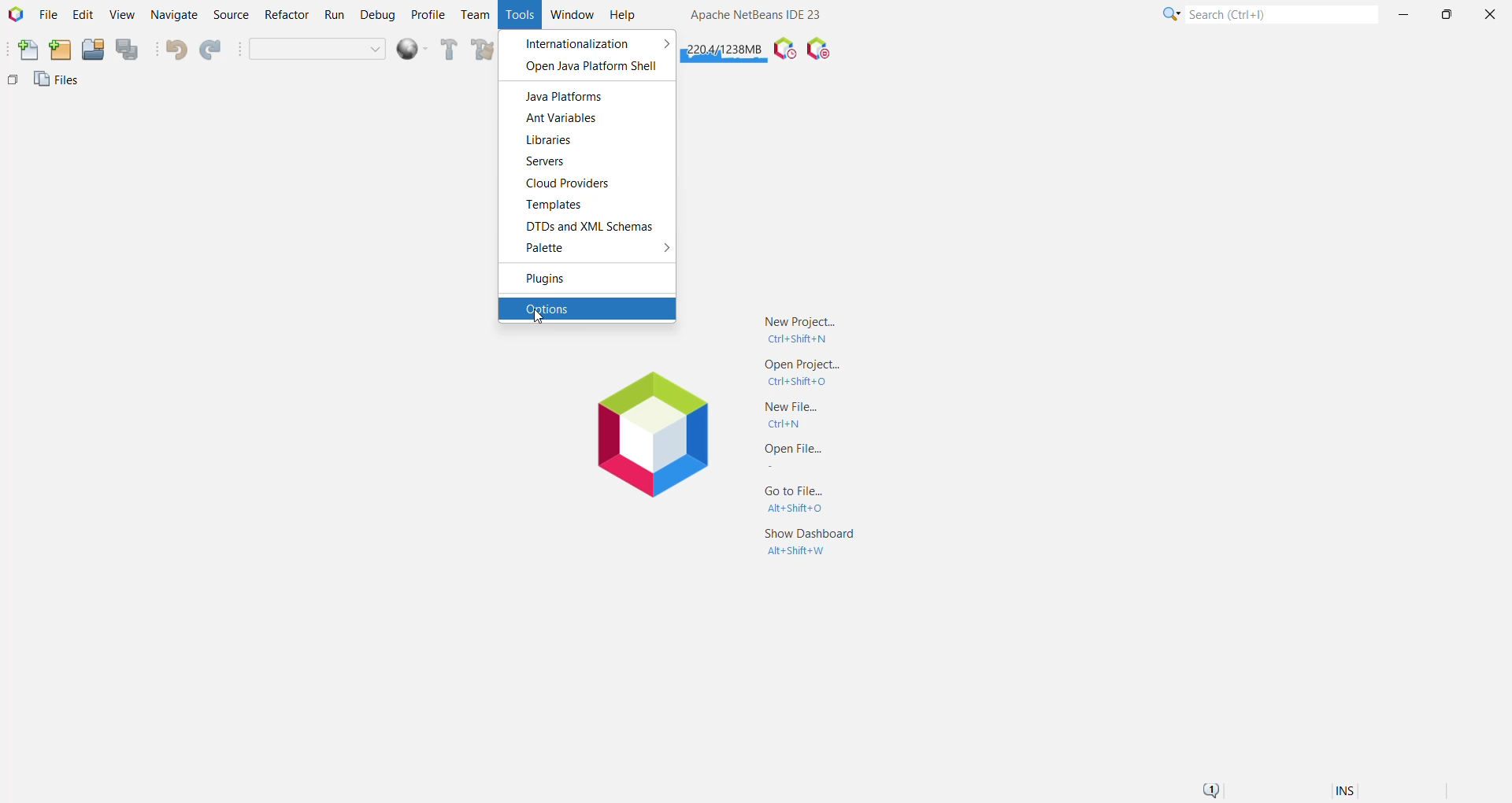 The image size is (1512, 803). I want to click on Search, so click(1280, 13).